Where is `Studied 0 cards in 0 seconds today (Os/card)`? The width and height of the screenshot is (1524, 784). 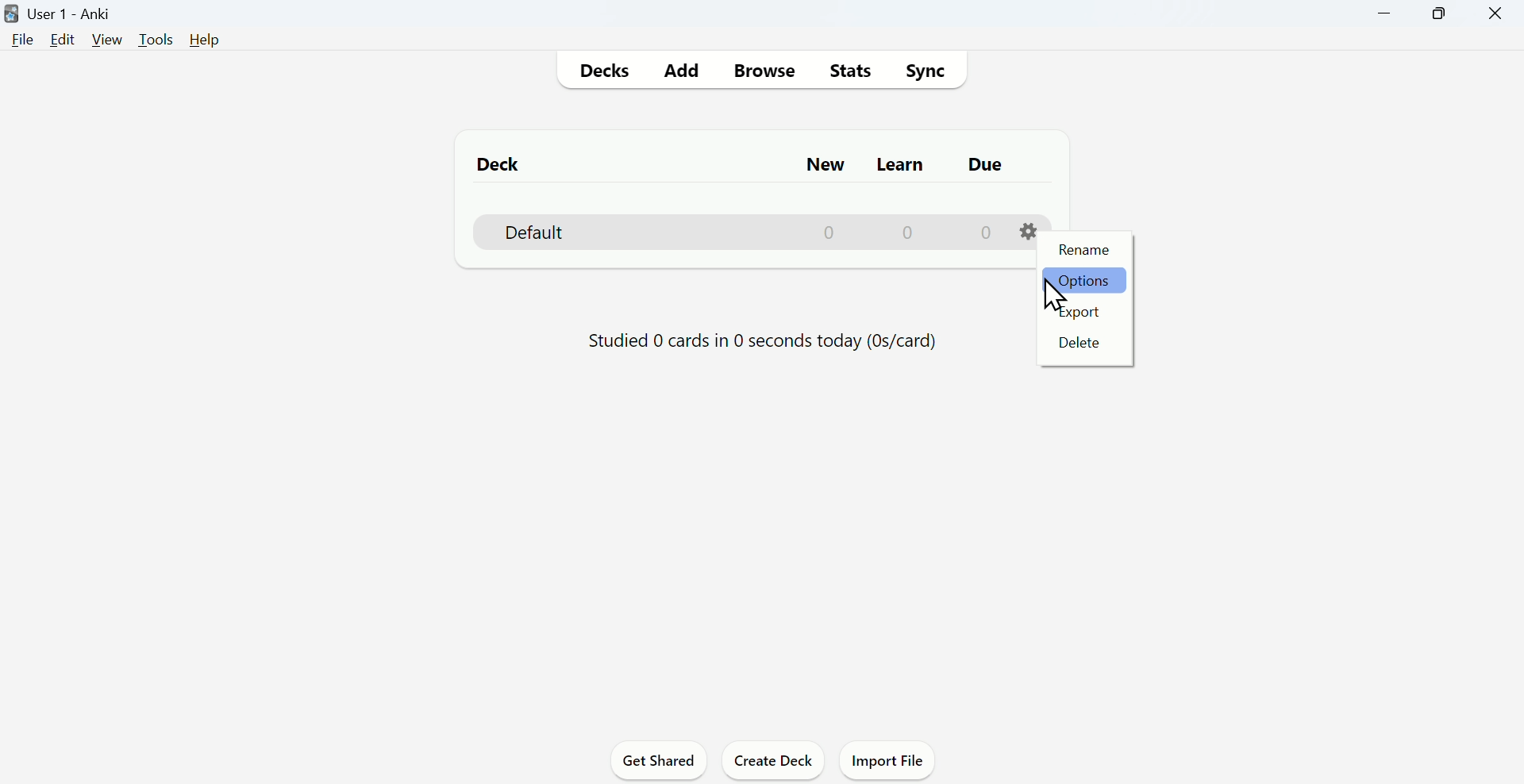 Studied 0 cards in 0 seconds today (Os/card) is located at coordinates (756, 340).